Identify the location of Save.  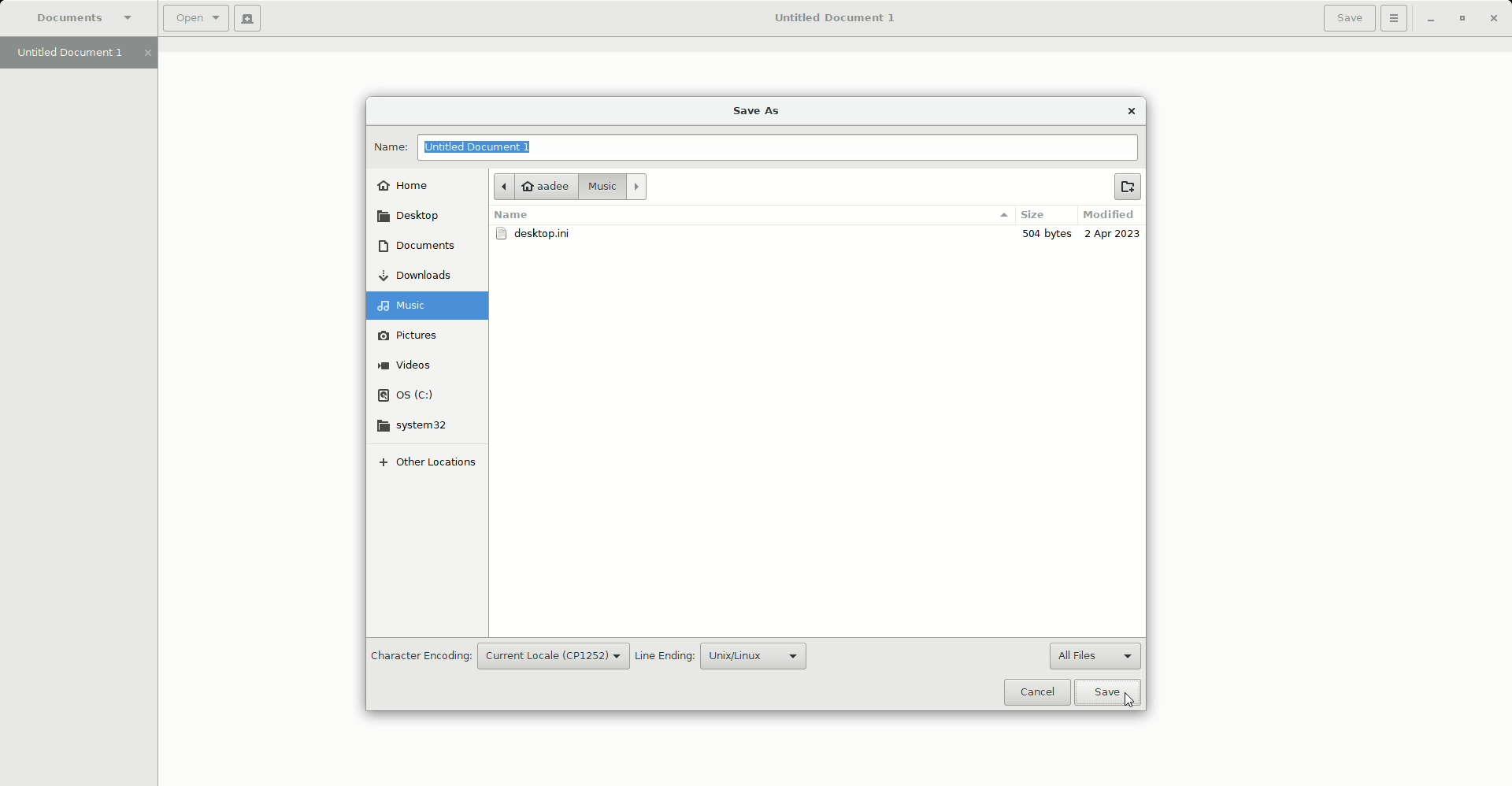
(1347, 19).